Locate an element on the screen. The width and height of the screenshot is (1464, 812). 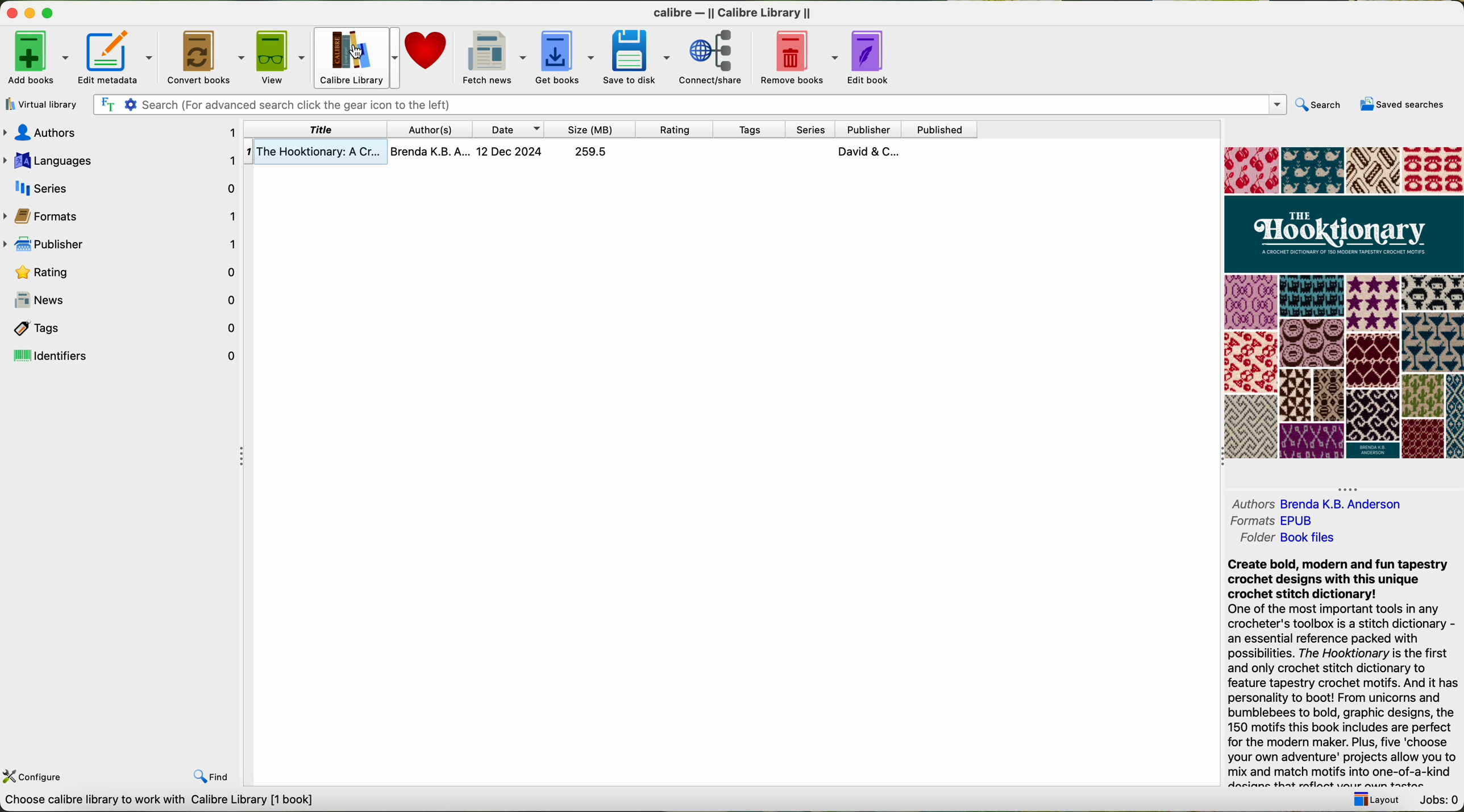
series is located at coordinates (813, 128).